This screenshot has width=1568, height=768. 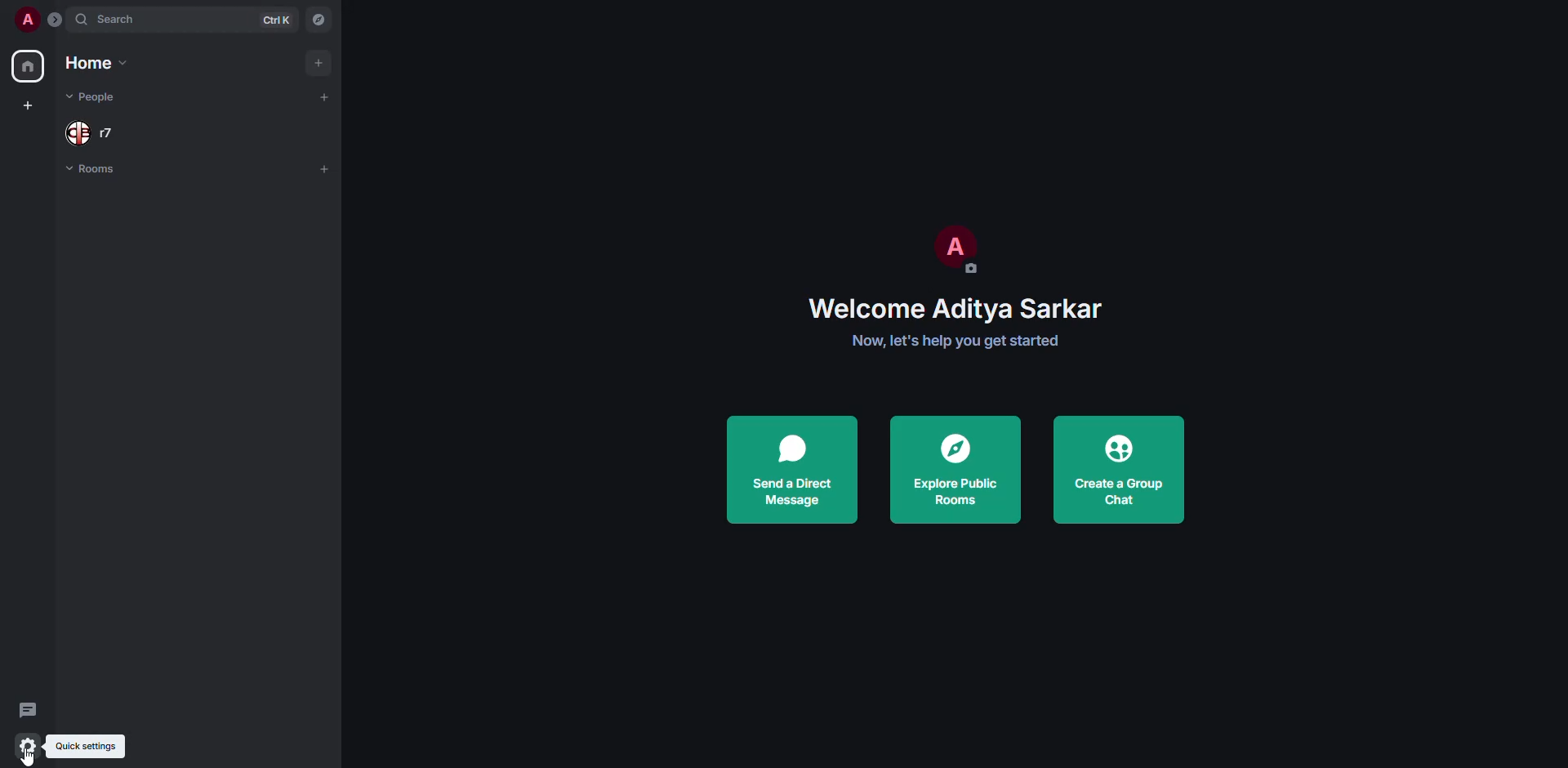 I want to click on Welcome Aditva Sarkar, so click(x=951, y=306).